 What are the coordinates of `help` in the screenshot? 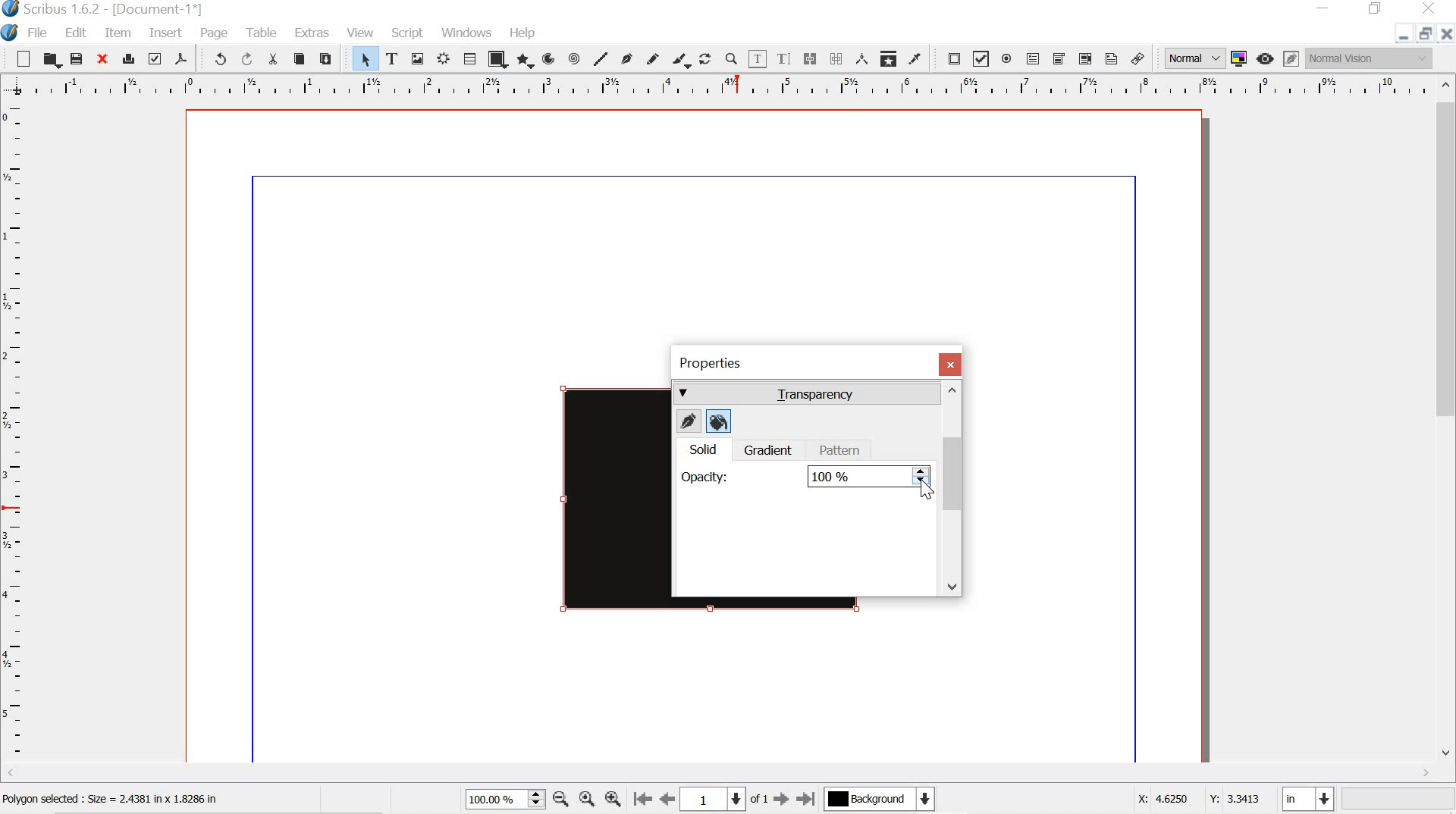 It's located at (522, 35).